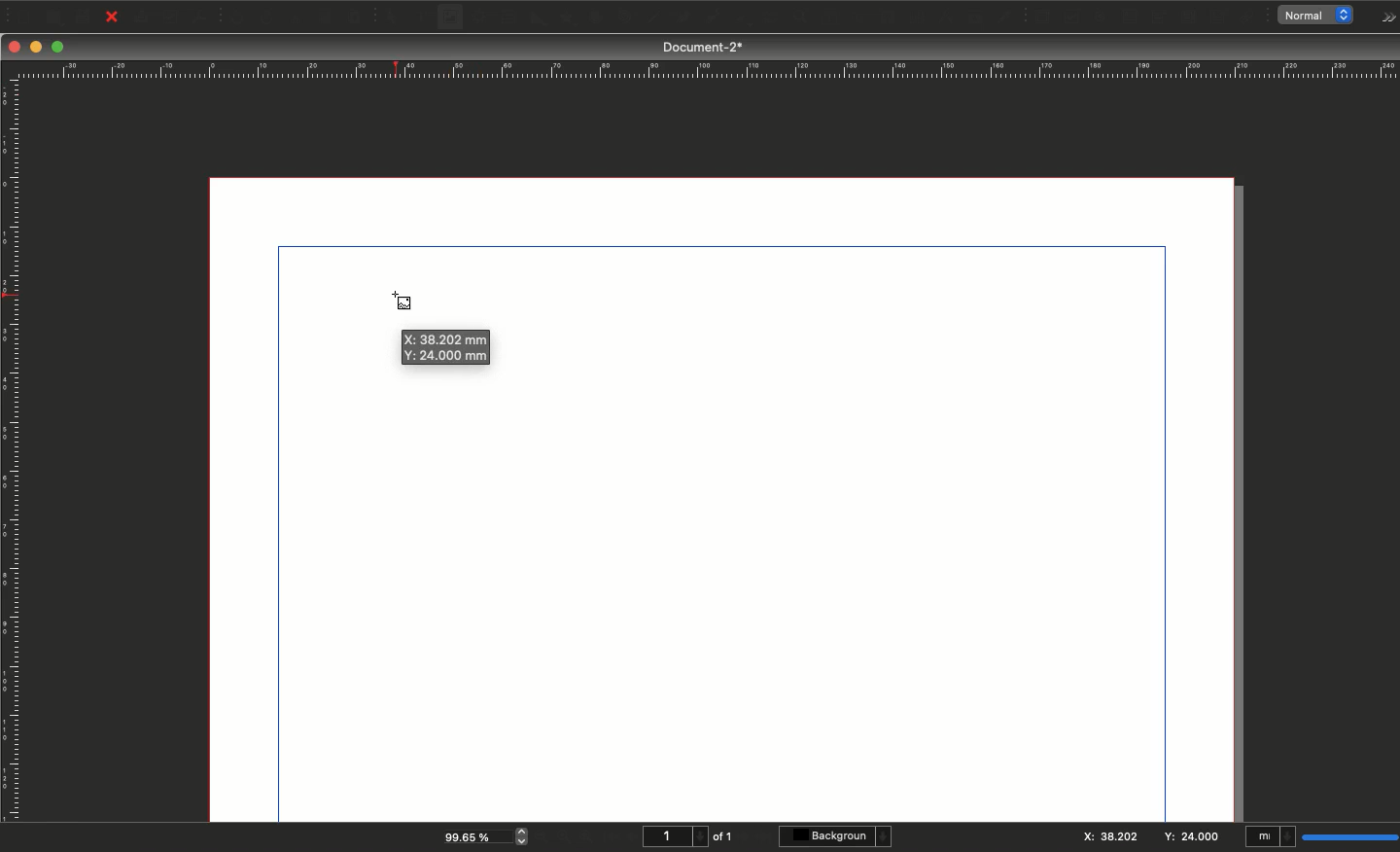 The width and height of the screenshot is (1400, 852). Describe the element at coordinates (1189, 18) in the screenshot. I see `PDF list box` at that location.